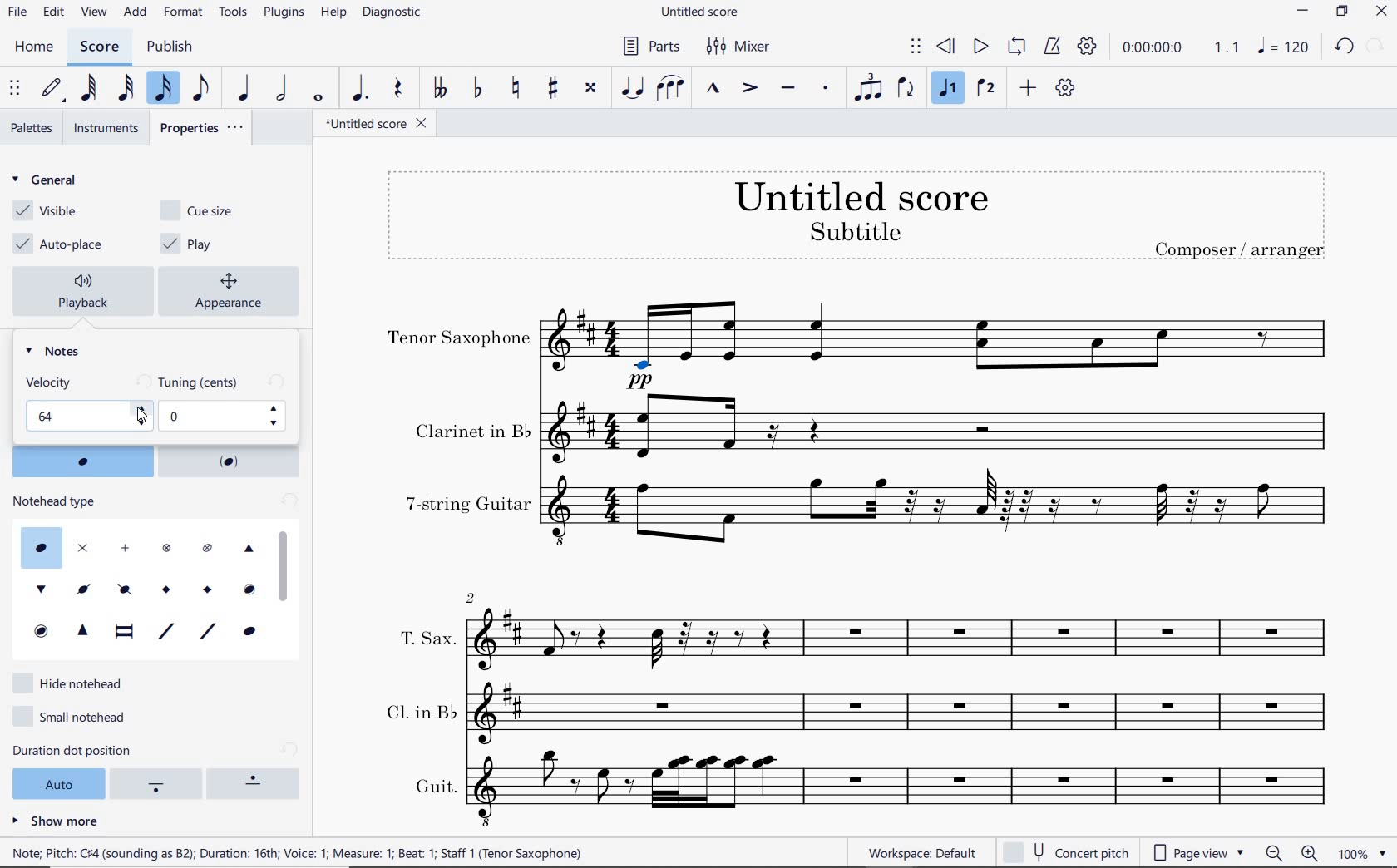  What do you see at coordinates (739, 47) in the screenshot?
I see `MIXER` at bounding box center [739, 47].